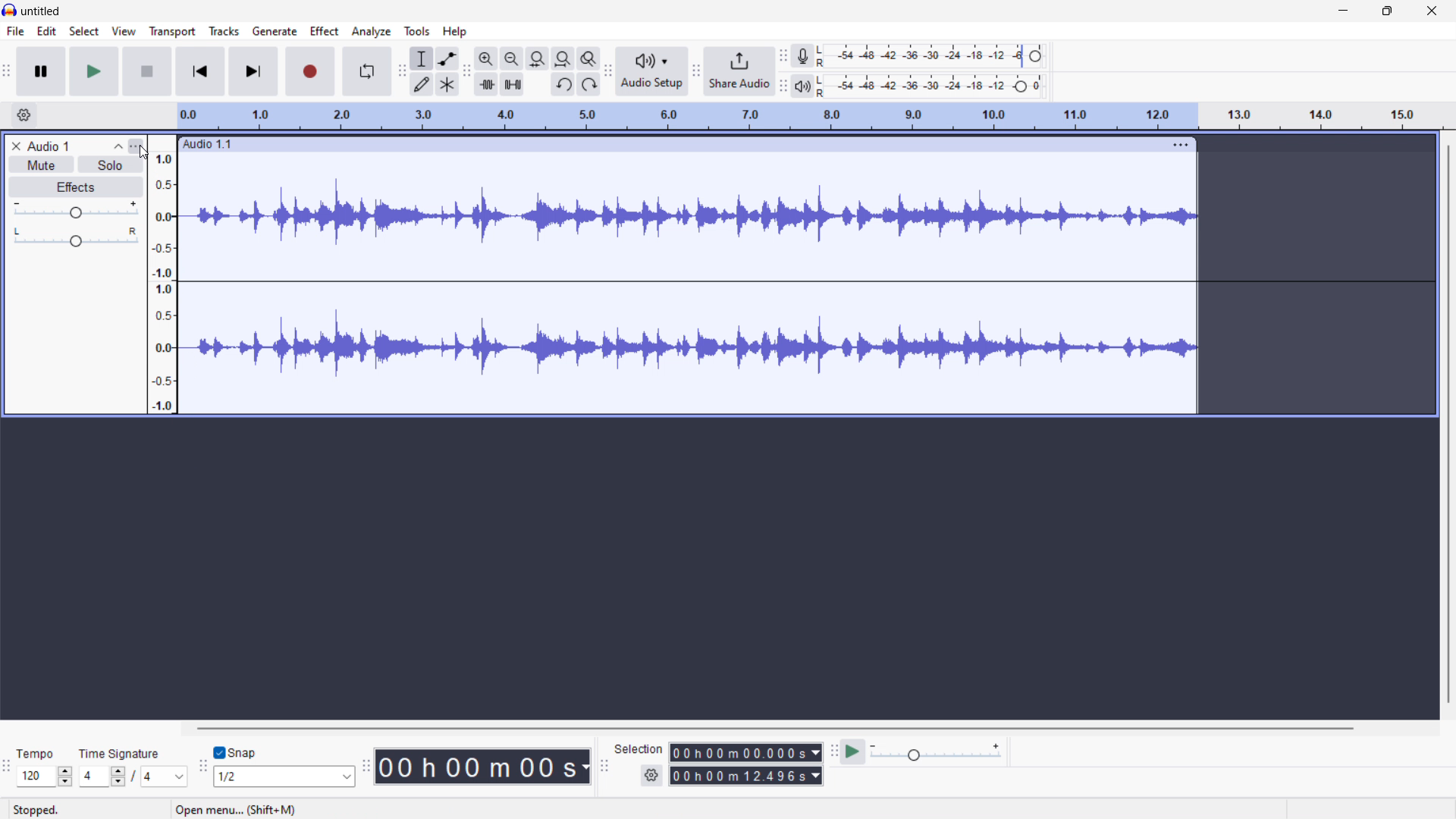  What do you see at coordinates (202, 769) in the screenshot?
I see `snapping toolbar` at bounding box center [202, 769].